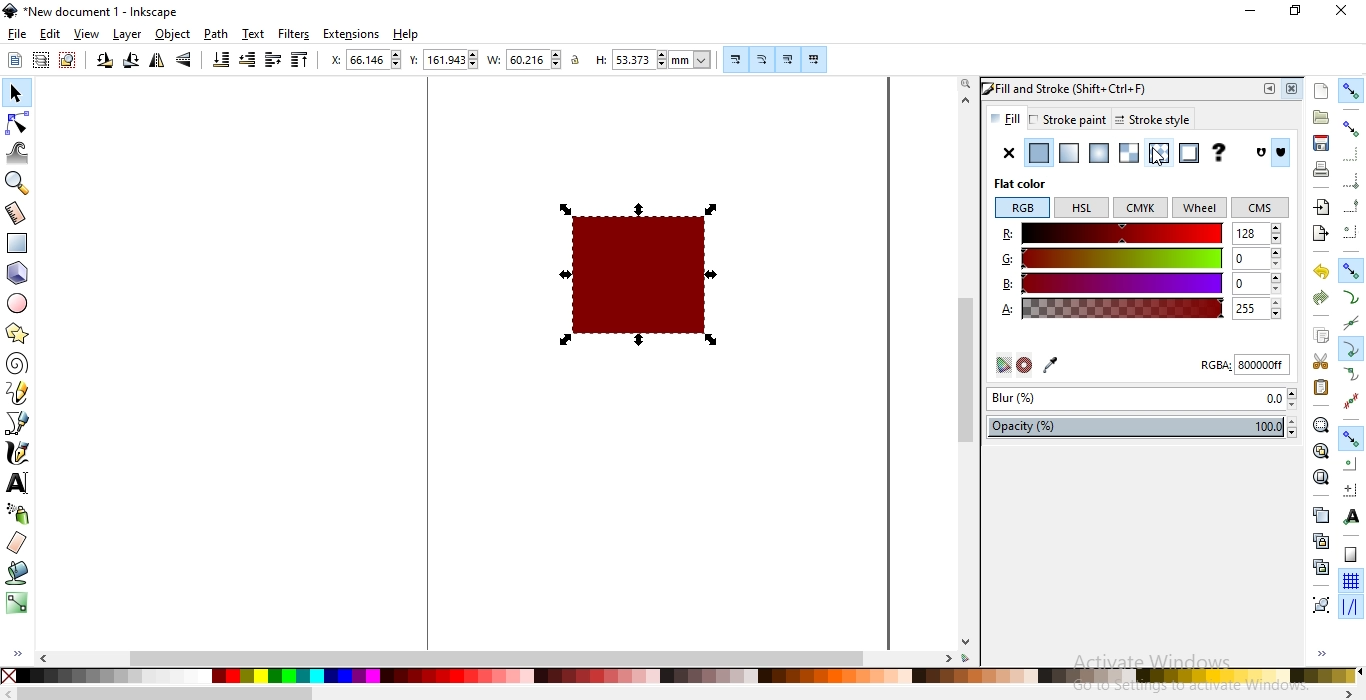 This screenshot has width=1366, height=700. Describe the element at coordinates (295, 34) in the screenshot. I see `filters` at that location.